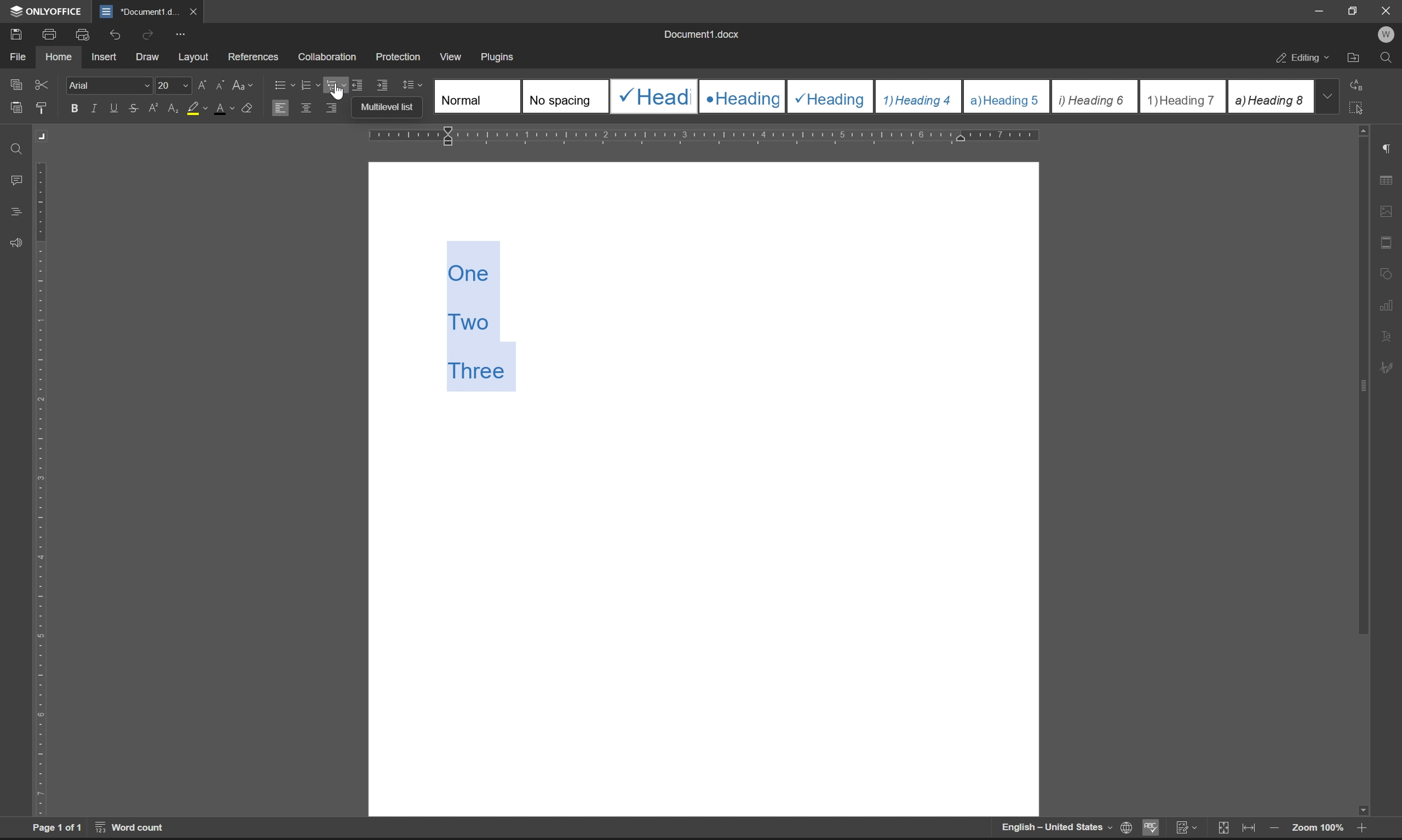  I want to click on subscript, so click(174, 106).